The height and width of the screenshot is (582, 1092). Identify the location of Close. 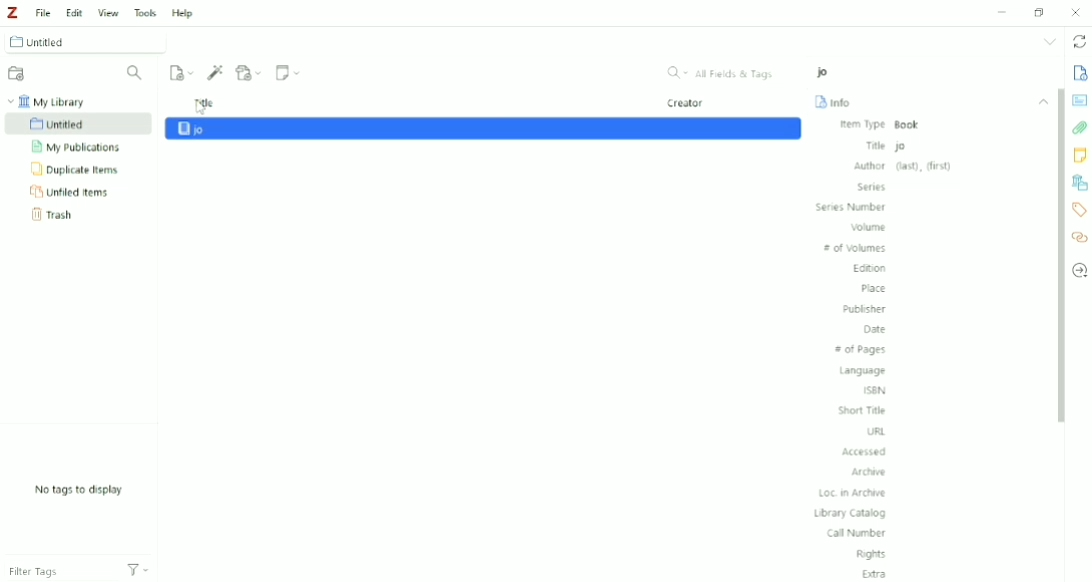
(1076, 12).